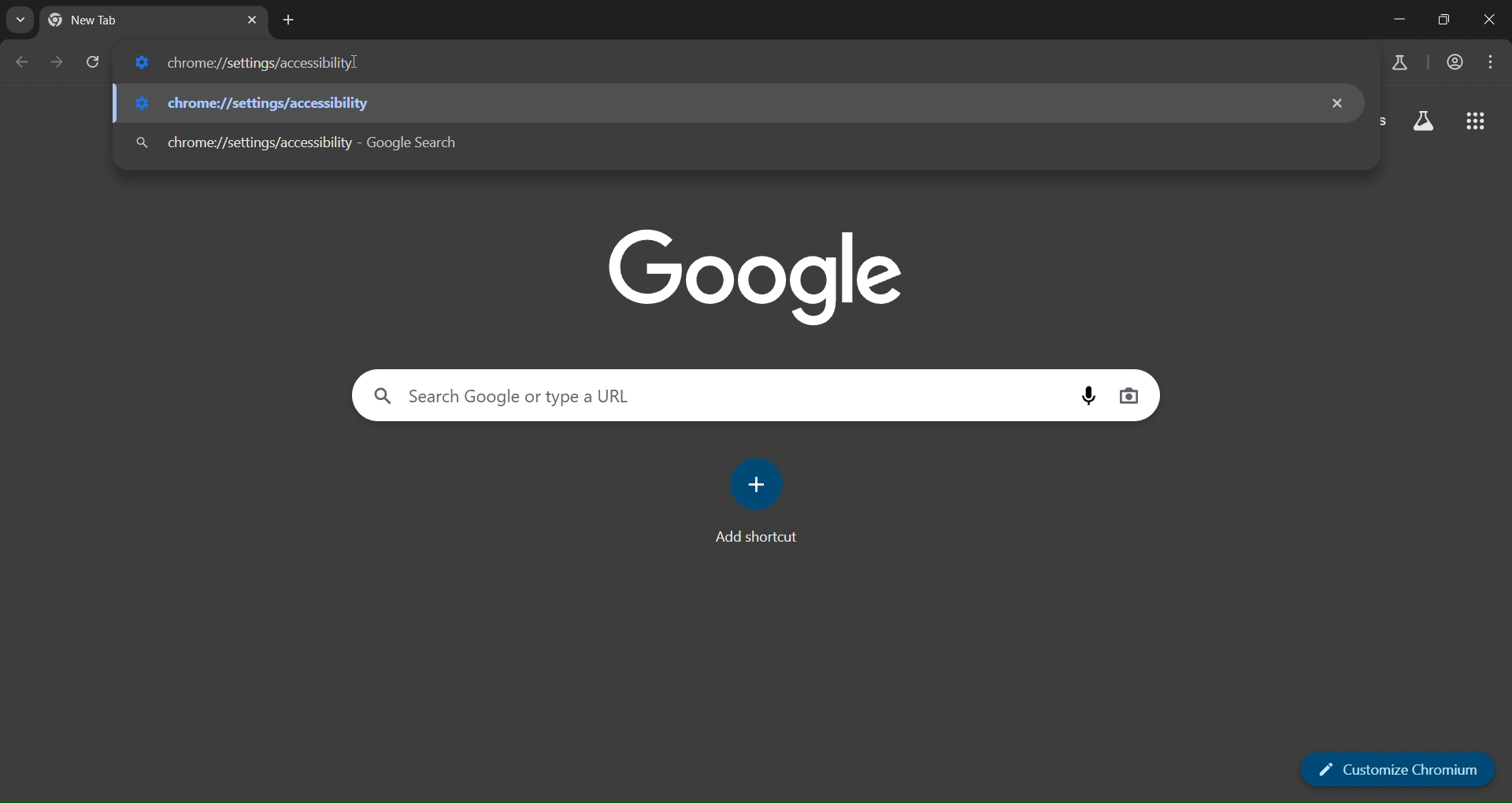 This screenshot has height=803, width=1512. Describe the element at coordinates (58, 61) in the screenshot. I see `go forward one page` at that location.